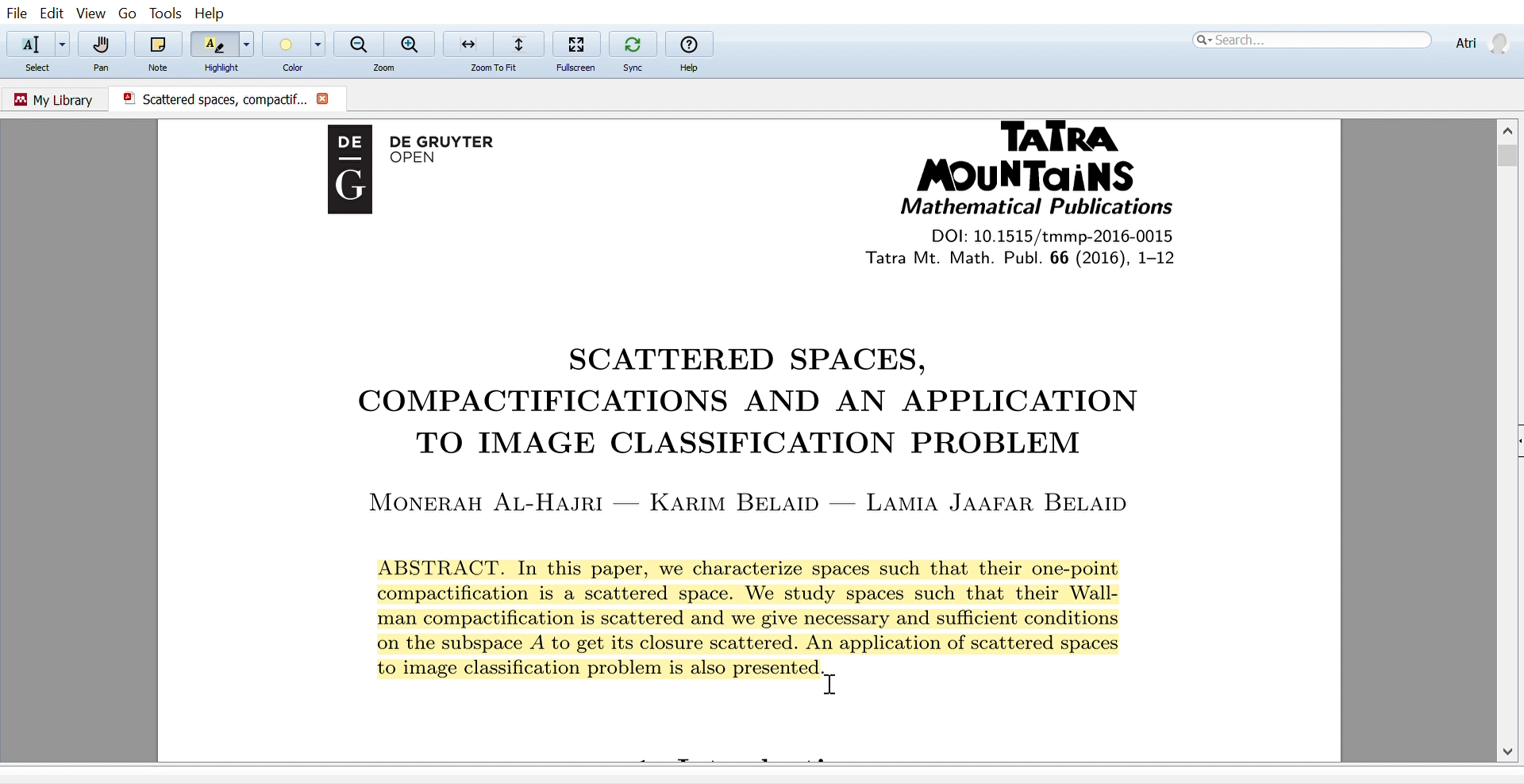 This screenshot has width=1524, height=784. I want to click on Sync, so click(633, 42).